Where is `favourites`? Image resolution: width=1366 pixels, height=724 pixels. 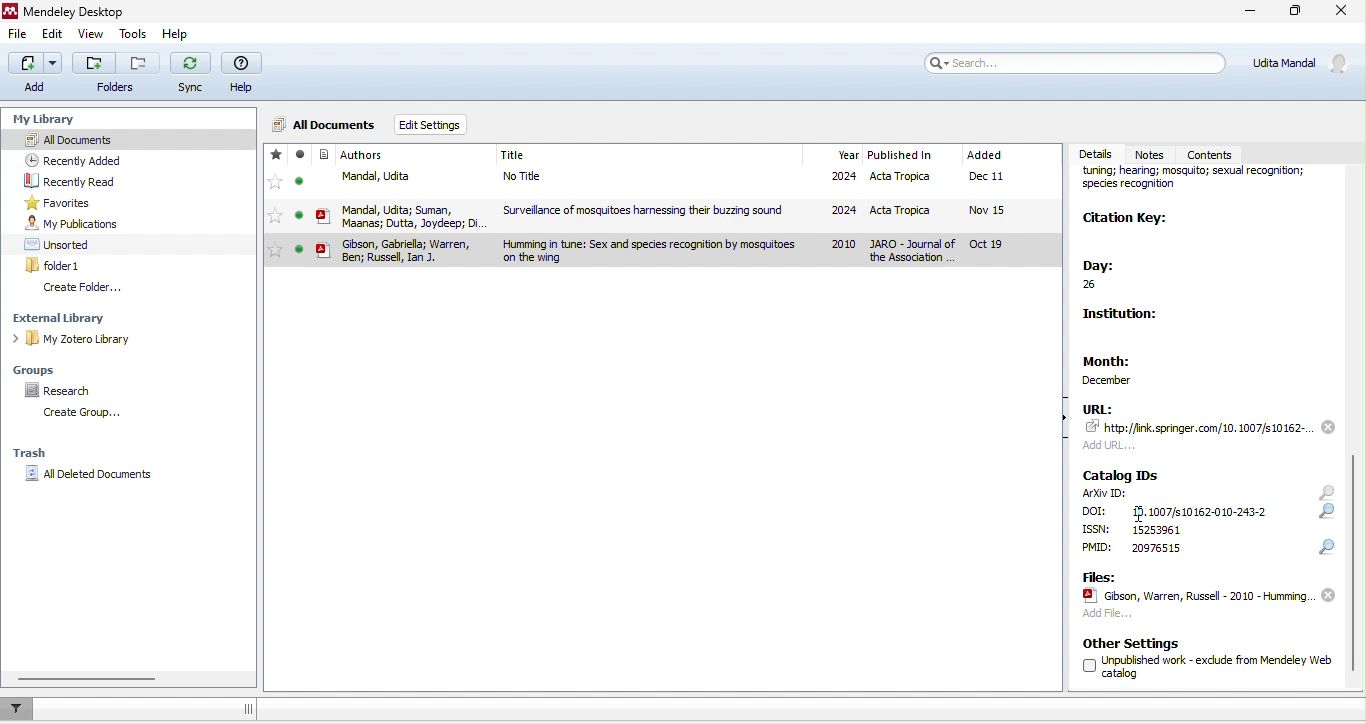
favourites is located at coordinates (63, 203).